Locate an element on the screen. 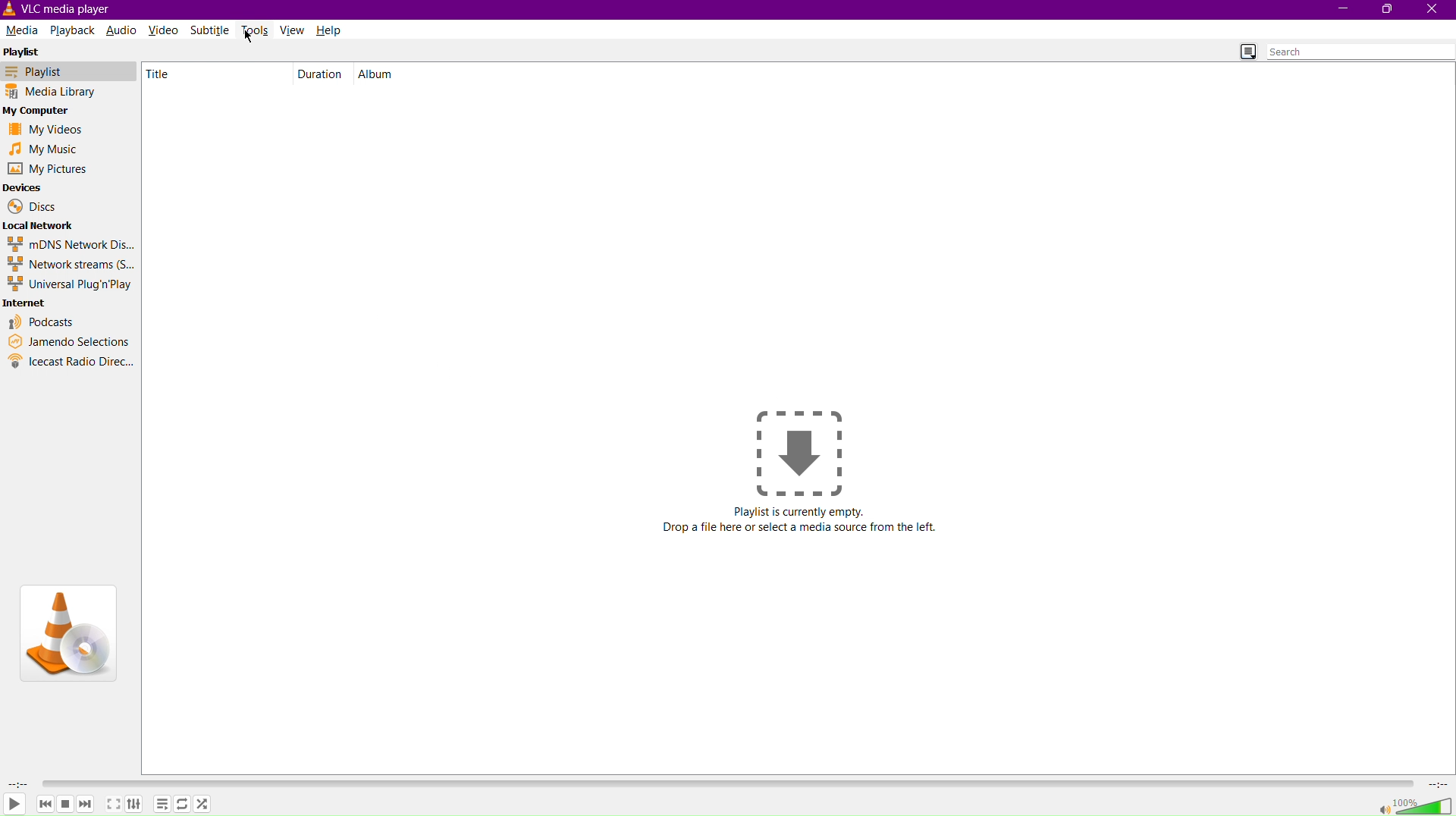 The image size is (1456, 816). My Computer is located at coordinates (45, 112).